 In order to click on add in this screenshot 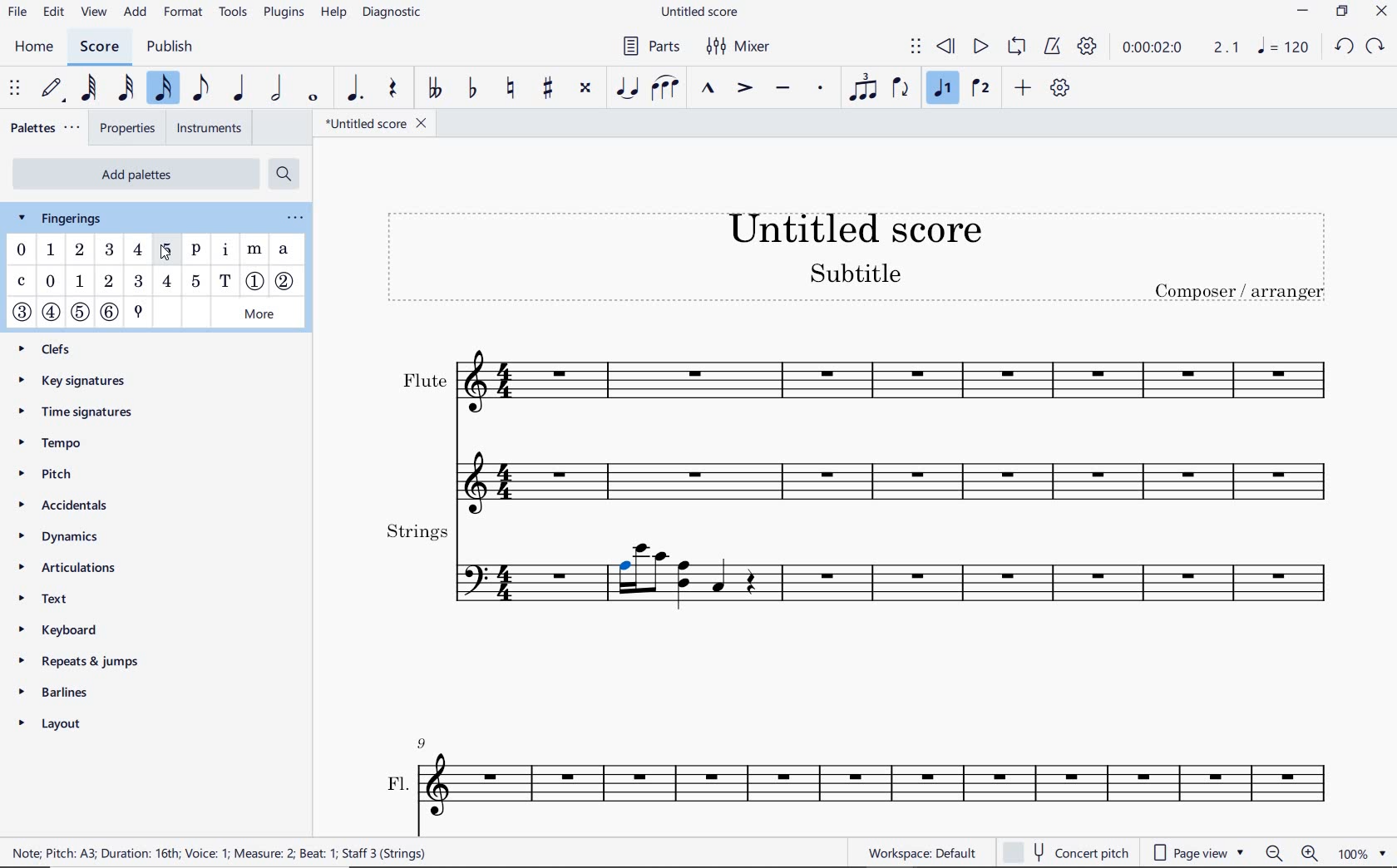, I will do `click(136, 13)`.